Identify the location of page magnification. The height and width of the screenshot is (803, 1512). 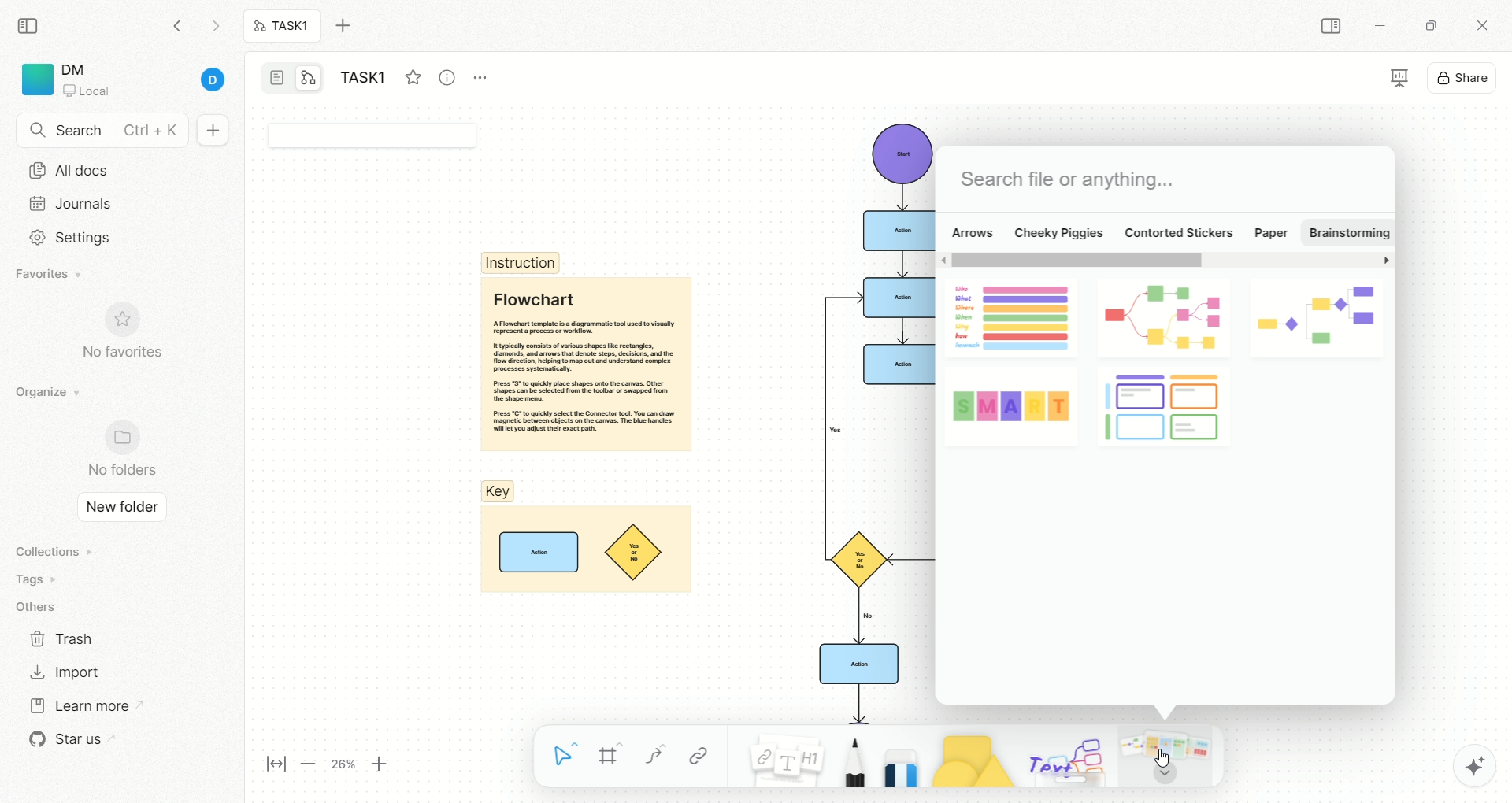
(332, 766).